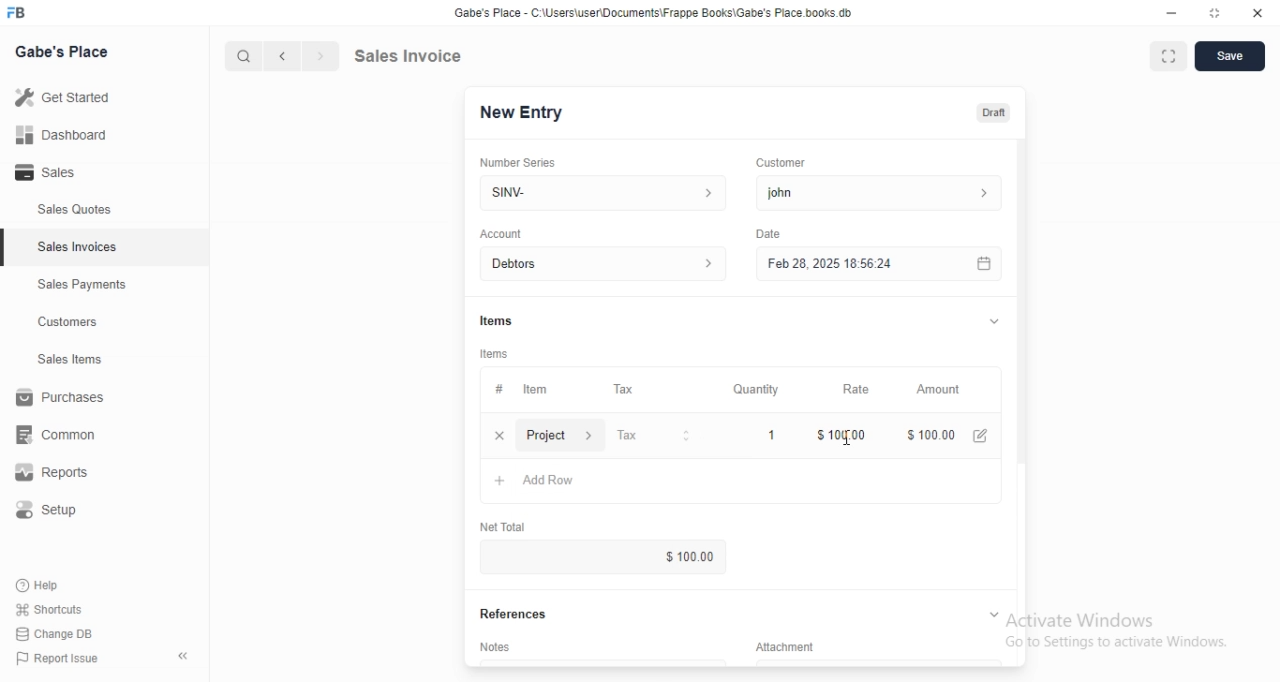 The height and width of the screenshot is (682, 1280). Describe the element at coordinates (185, 656) in the screenshot. I see `collapse` at that location.